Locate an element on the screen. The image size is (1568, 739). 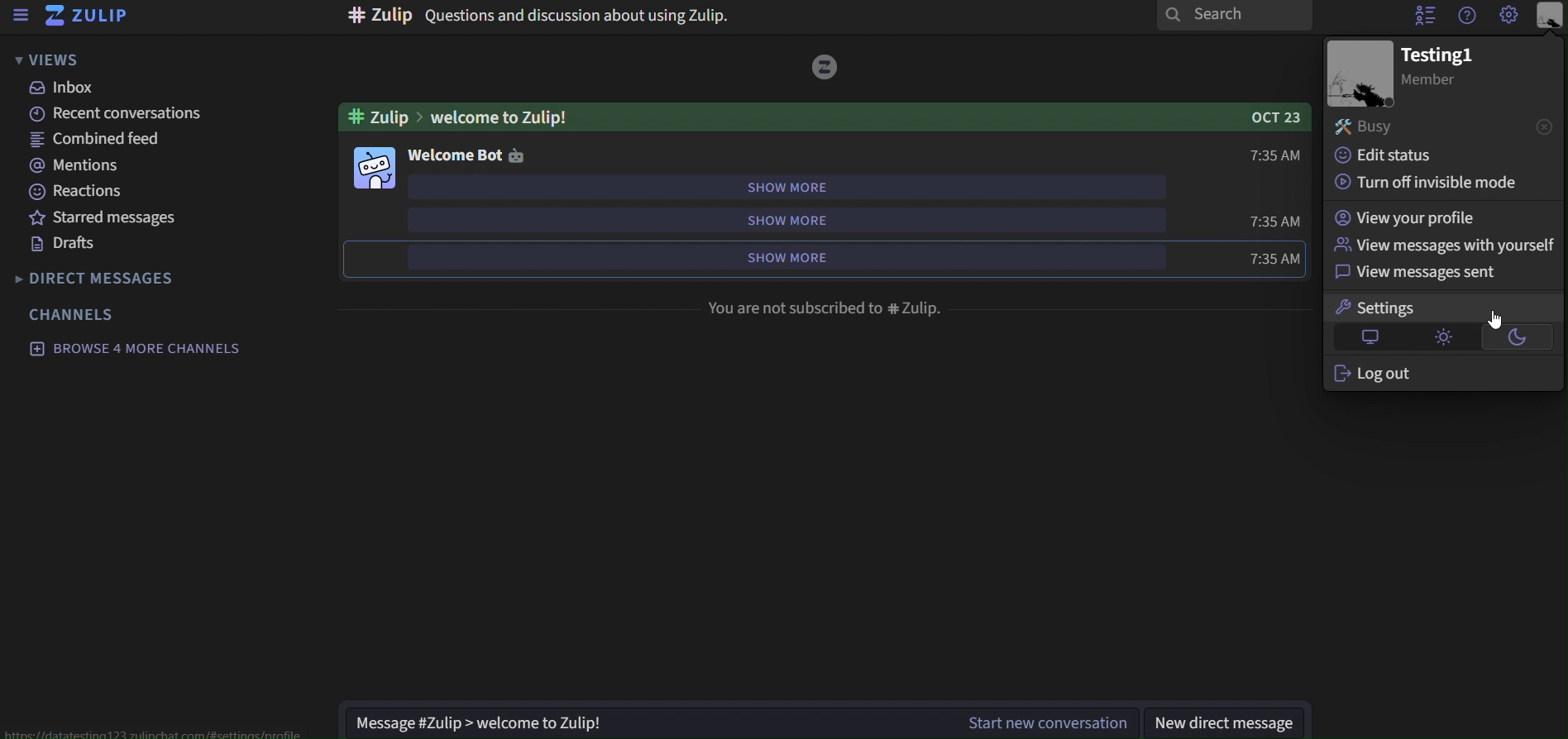
combined feed is located at coordinates (146, 141).